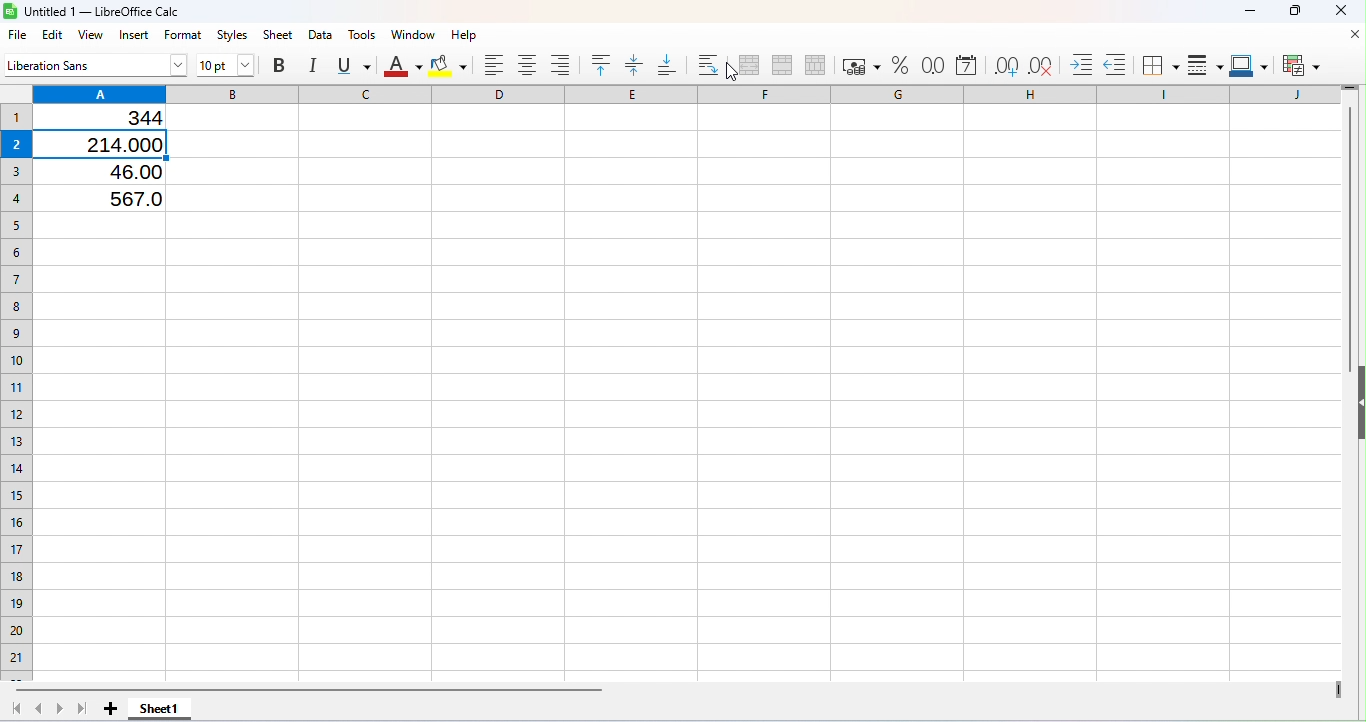 The width and height of the screenshot is (1366, 722). What do you see at coordinates (531, 66) in the screenshot?
I see `Align center` at bounding box center [531, 66].